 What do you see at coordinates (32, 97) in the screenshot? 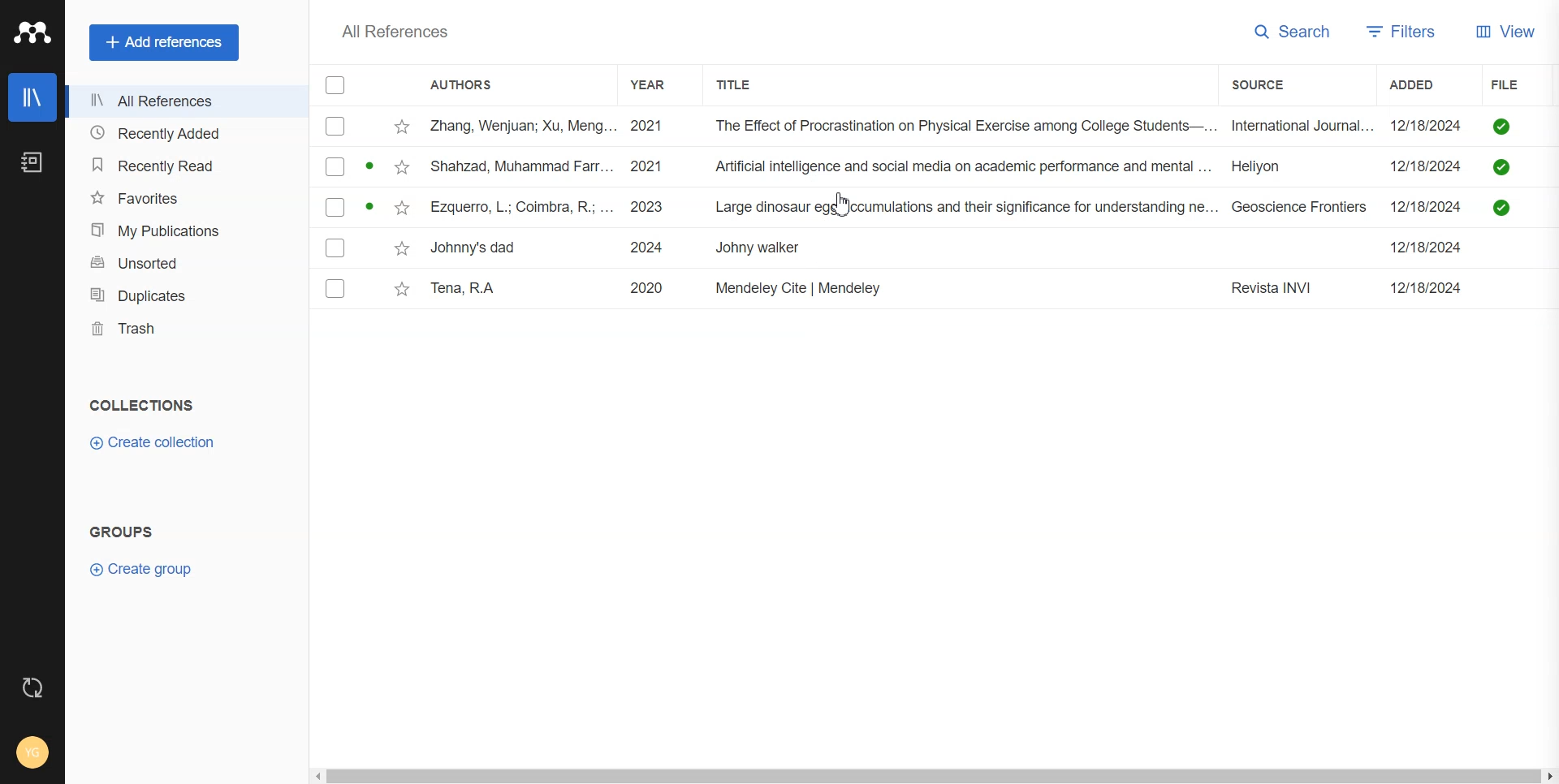
I see `Library ` at bounding box center [32, 97].